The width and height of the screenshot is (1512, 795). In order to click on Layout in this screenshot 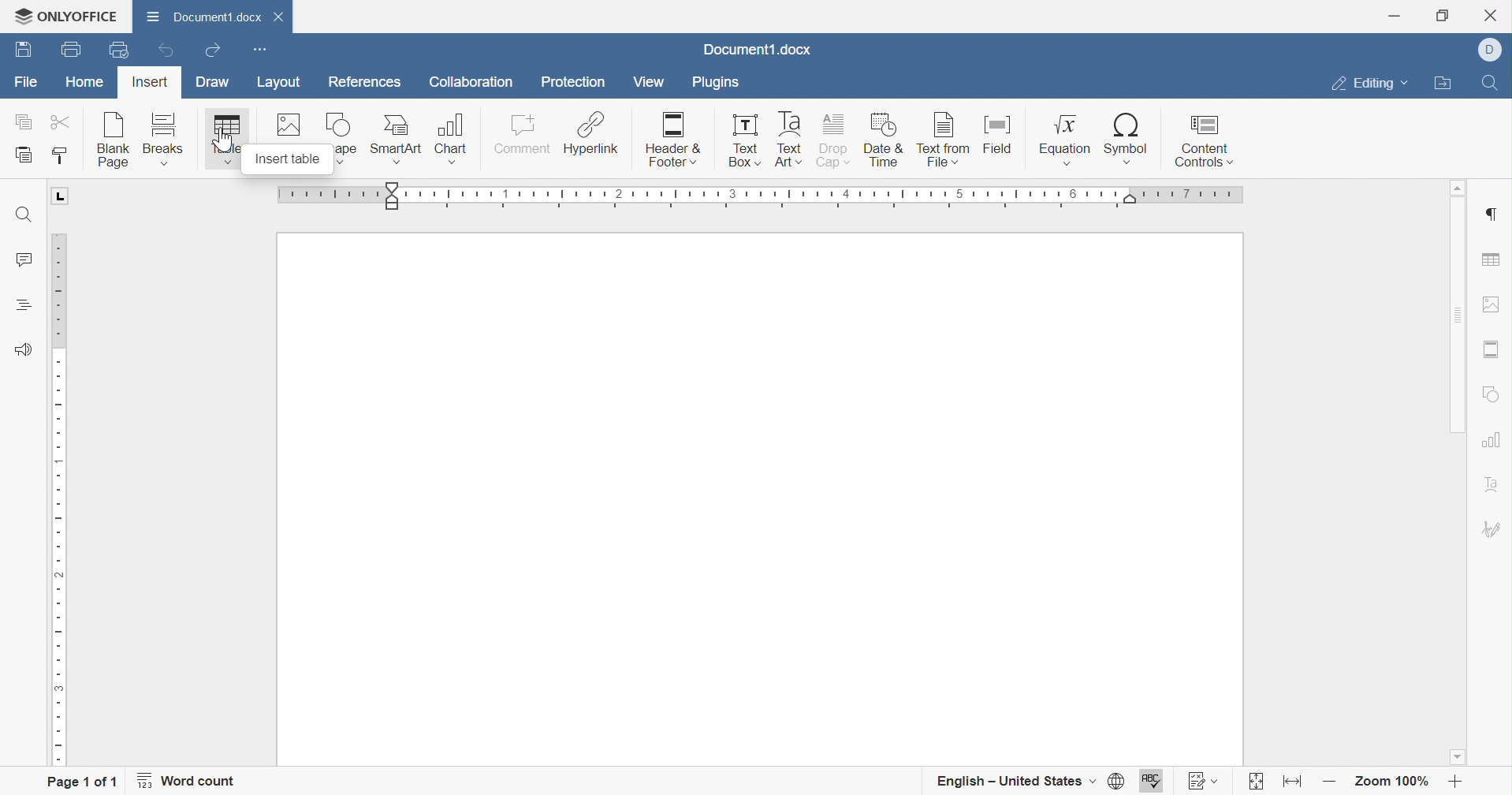, I will do `click(283, 82)`.